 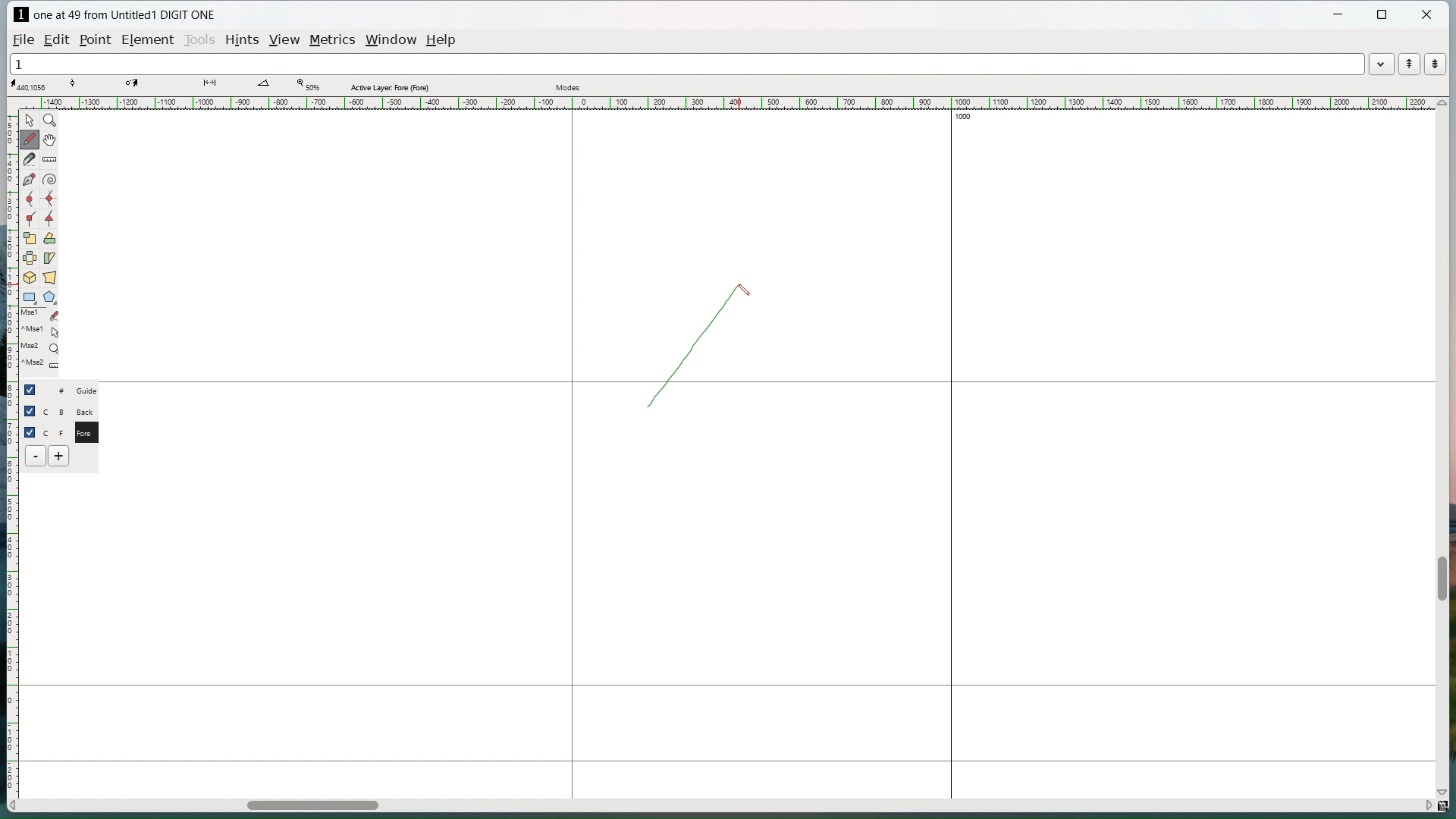 I want to click on checkbox, so click(x=33, y=389).